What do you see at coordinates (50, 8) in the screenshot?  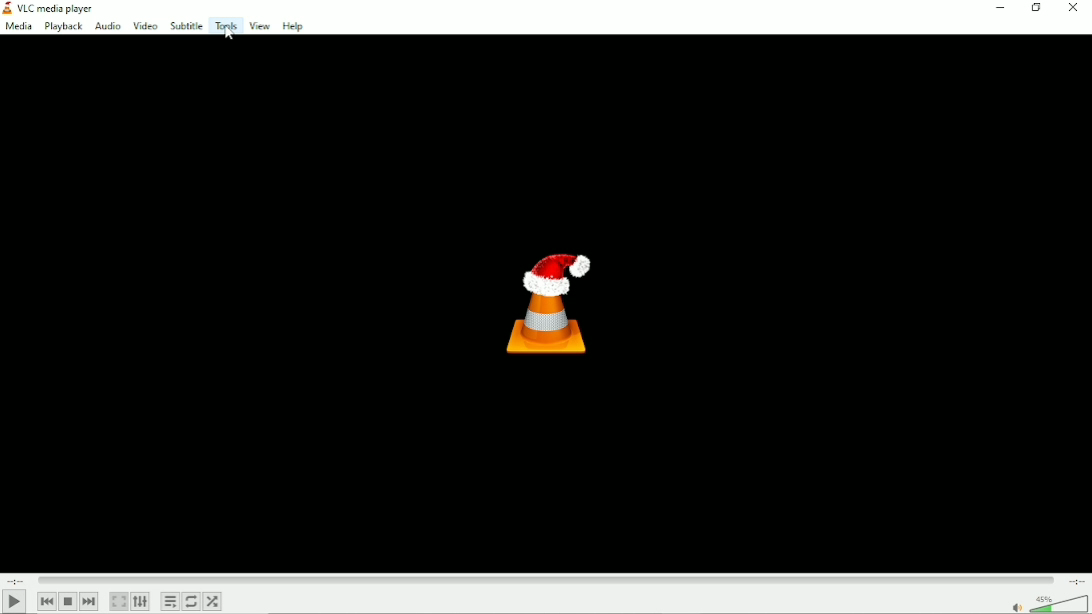 I see `VLC media player` at bounding box center [50, 8].